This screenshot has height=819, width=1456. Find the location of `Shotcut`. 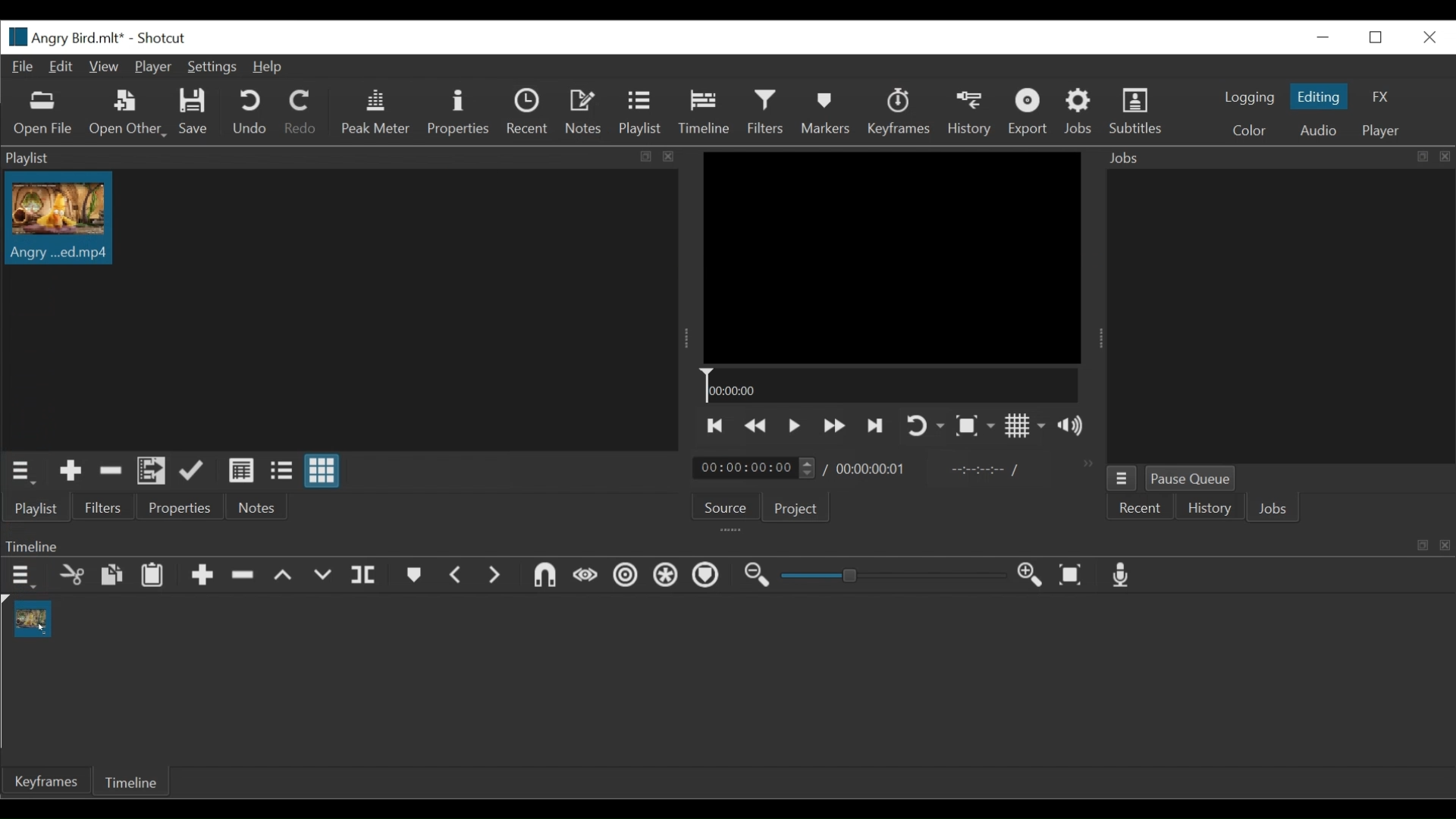

Shotcut is located at coordinates (161, 38).